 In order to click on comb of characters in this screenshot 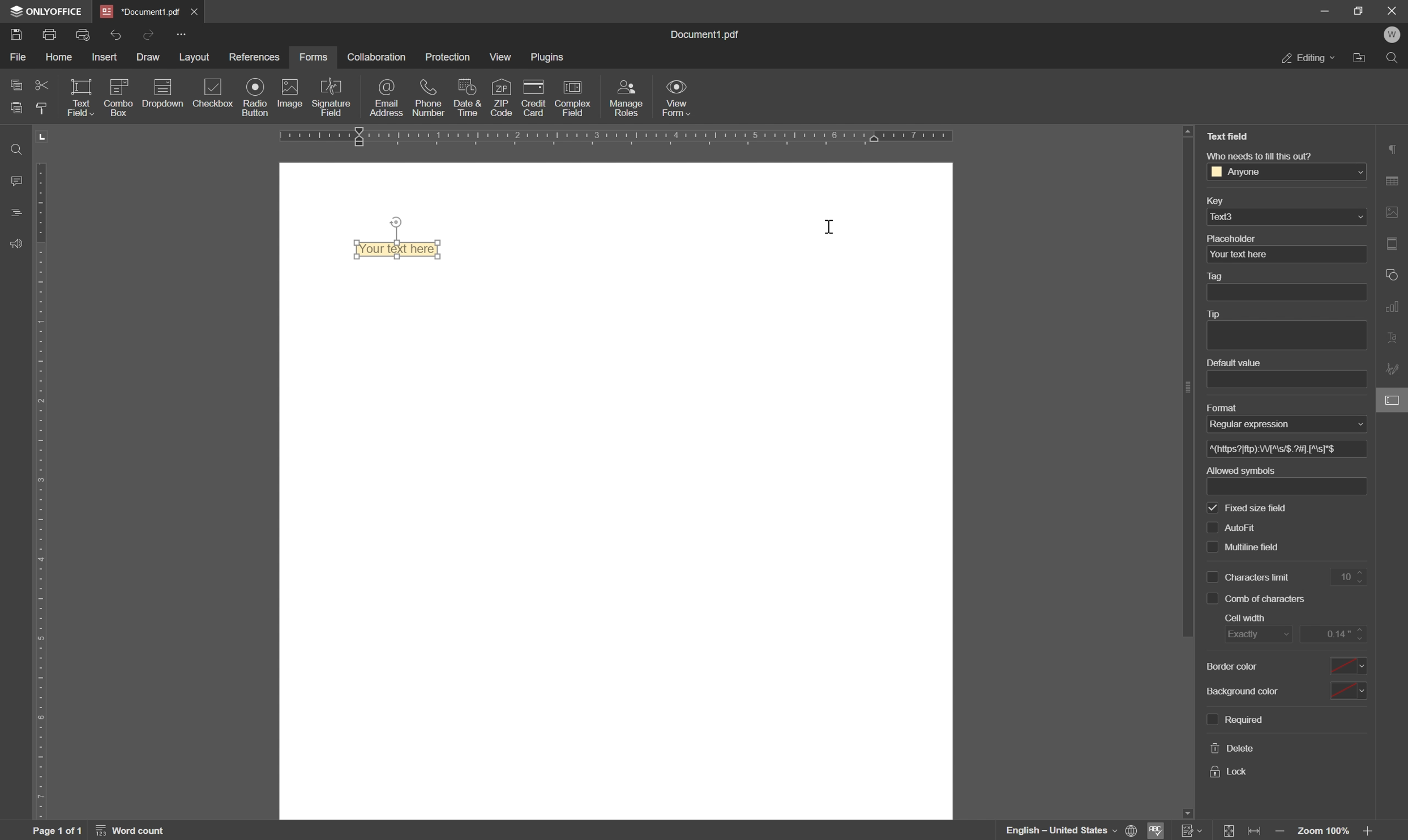, I will do `click(1268, 599)`.